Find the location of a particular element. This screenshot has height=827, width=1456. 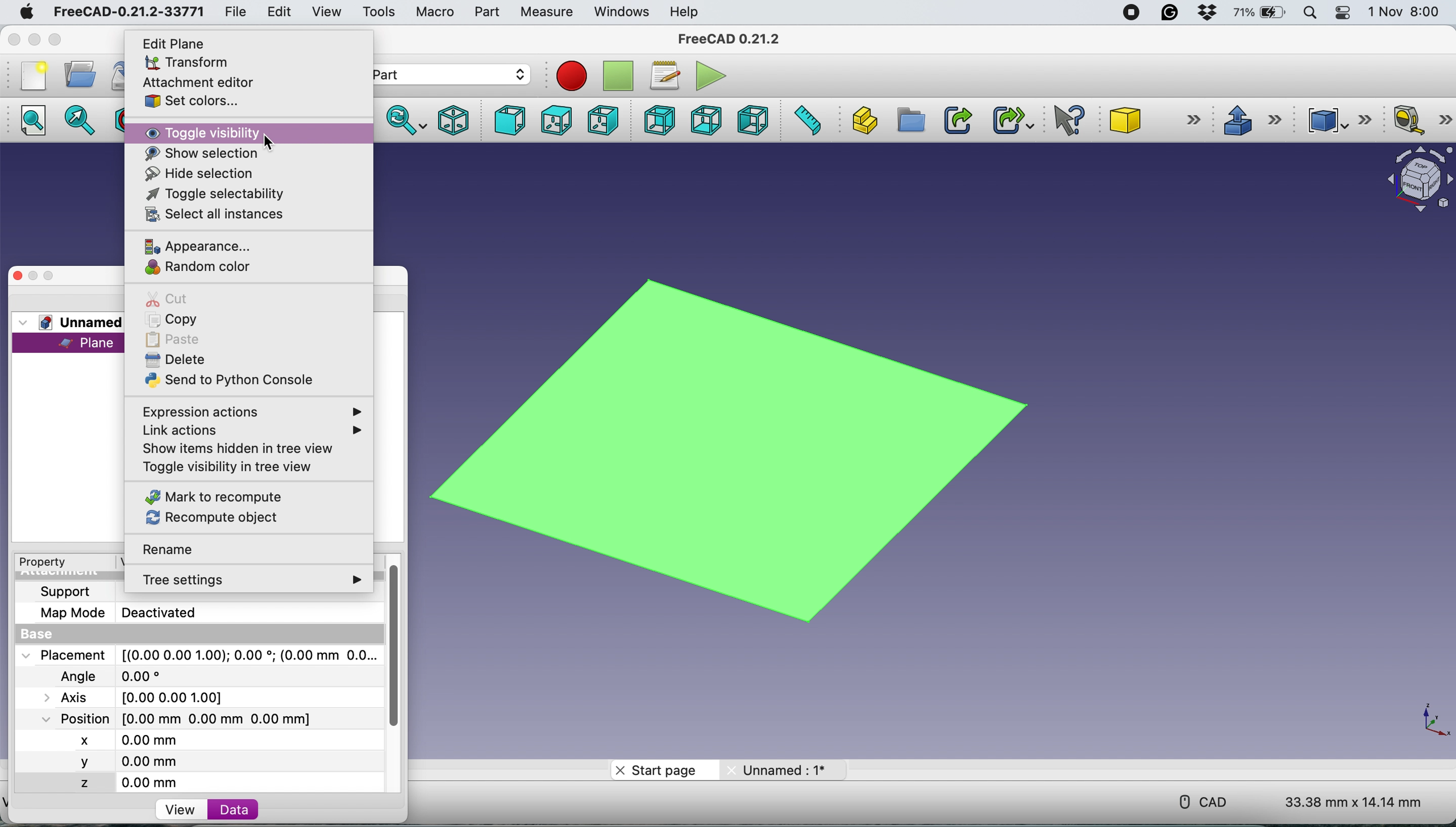

what's this is located at coordinates (1072, 118).